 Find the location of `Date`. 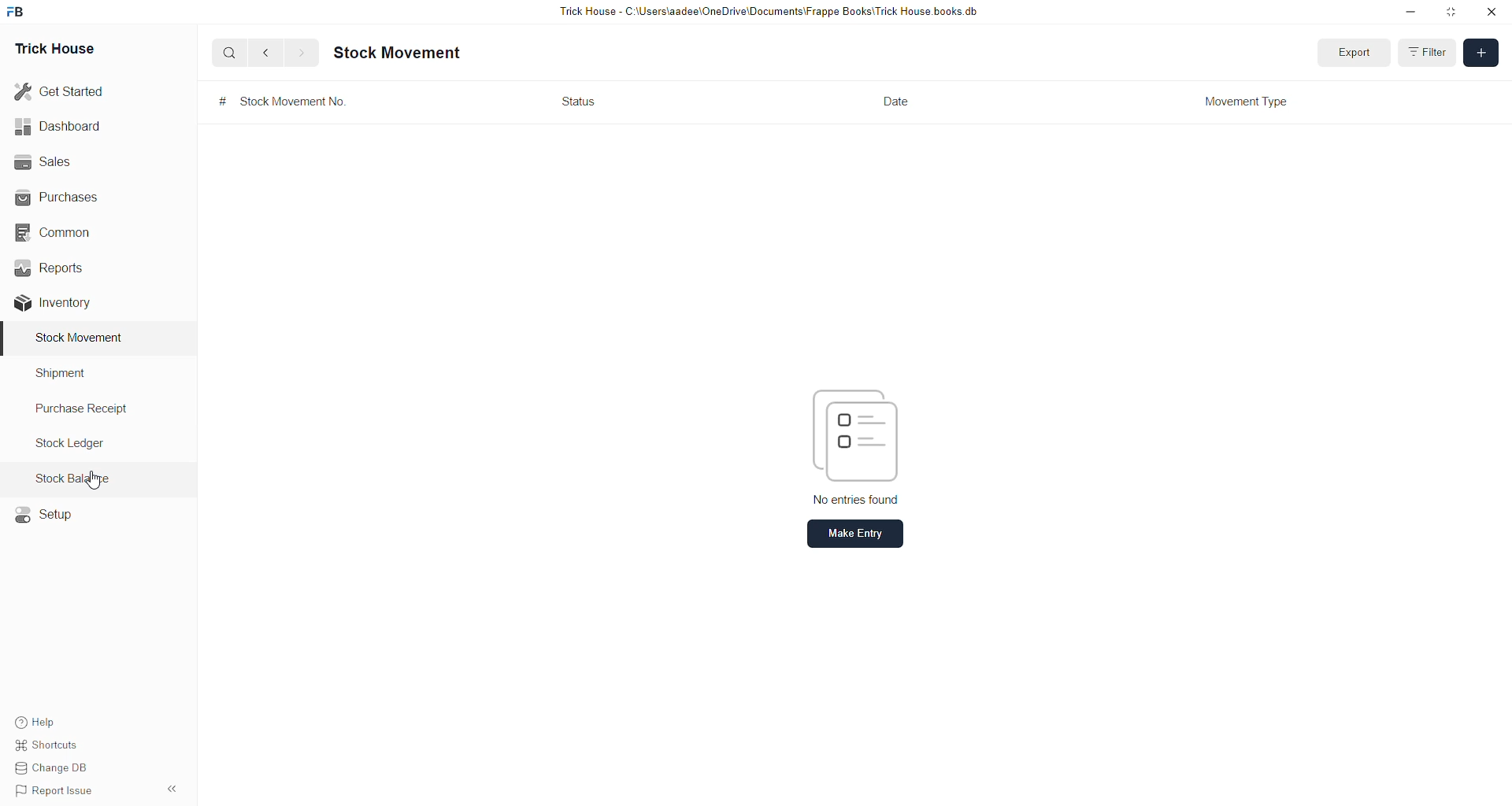

Date is located at coordinates (900, 105).